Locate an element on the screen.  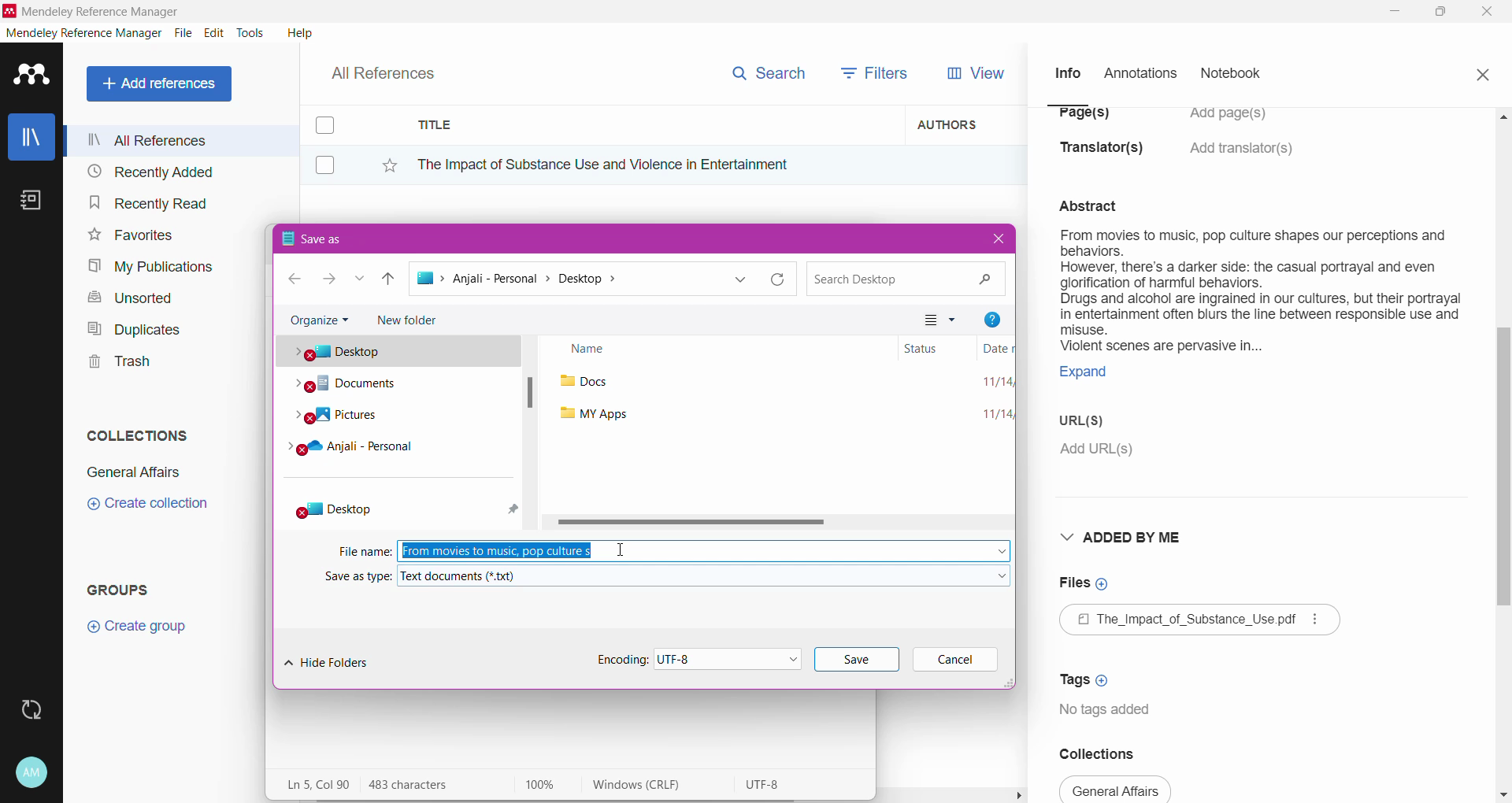
Collection Name is located at coordinates (131, 472).